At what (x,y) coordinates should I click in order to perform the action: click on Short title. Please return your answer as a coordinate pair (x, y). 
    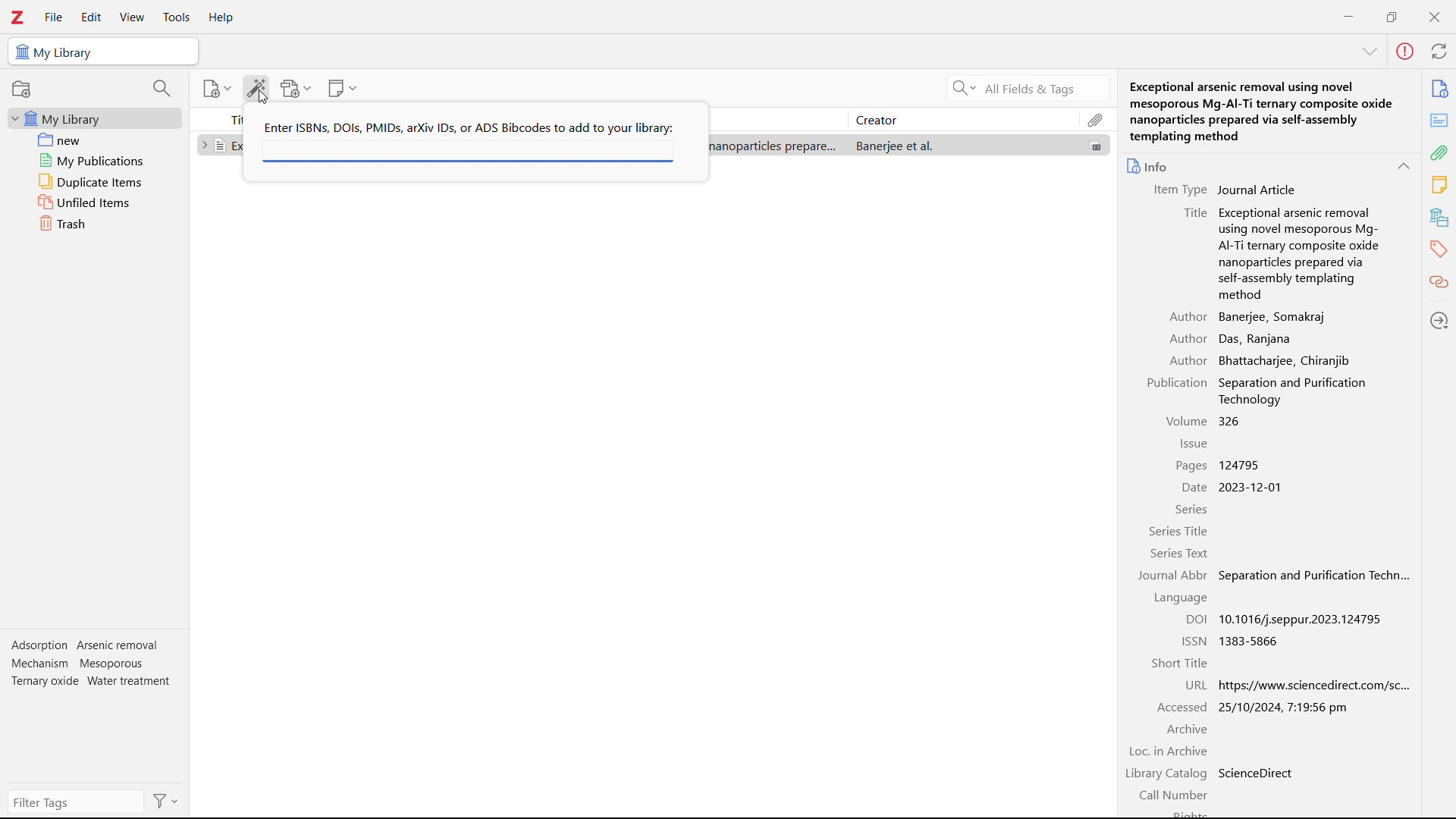
    Looking at the image, I should click on (1178, 663).